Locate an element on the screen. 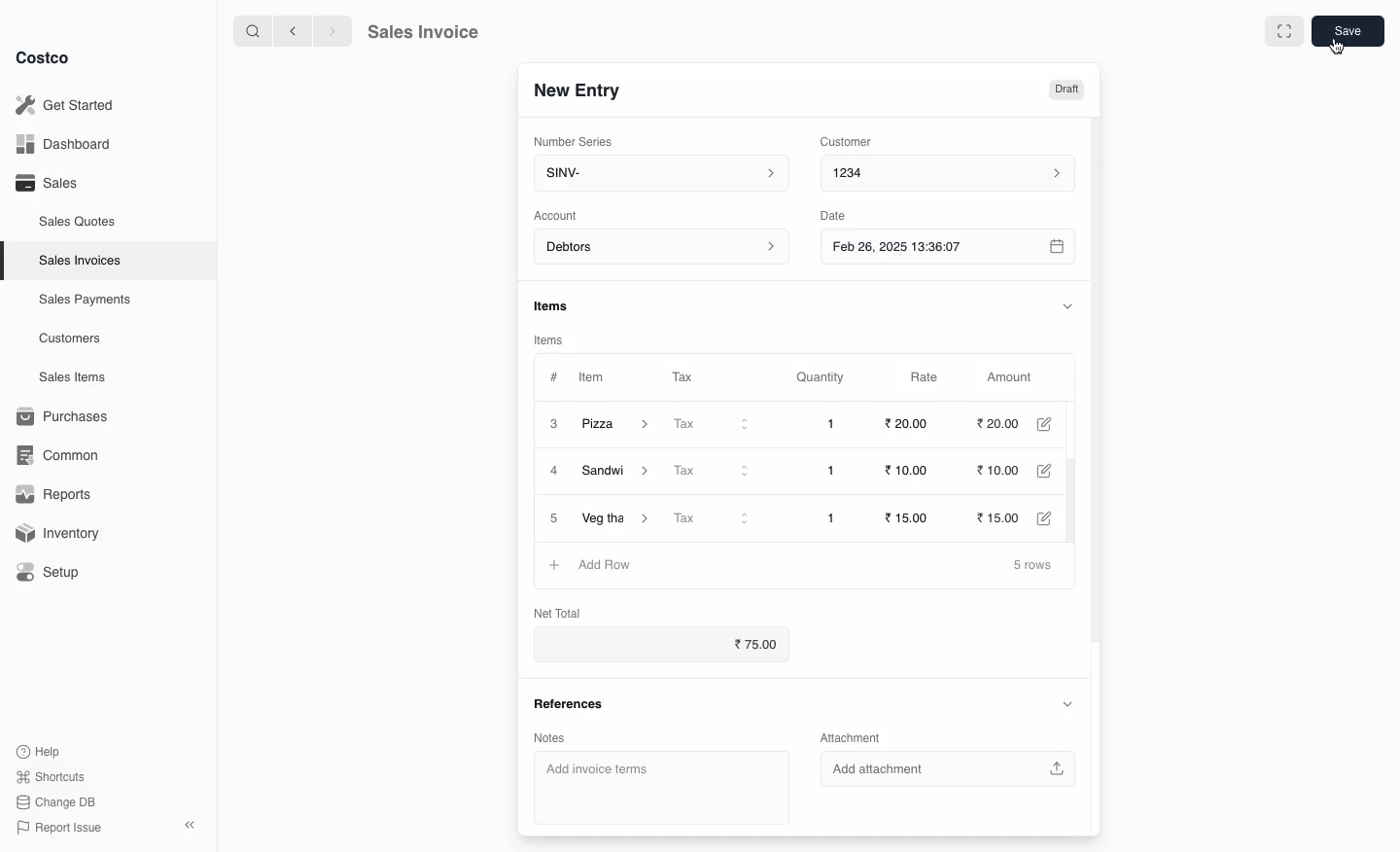  Sandwich is located at coordinates (621, 473).